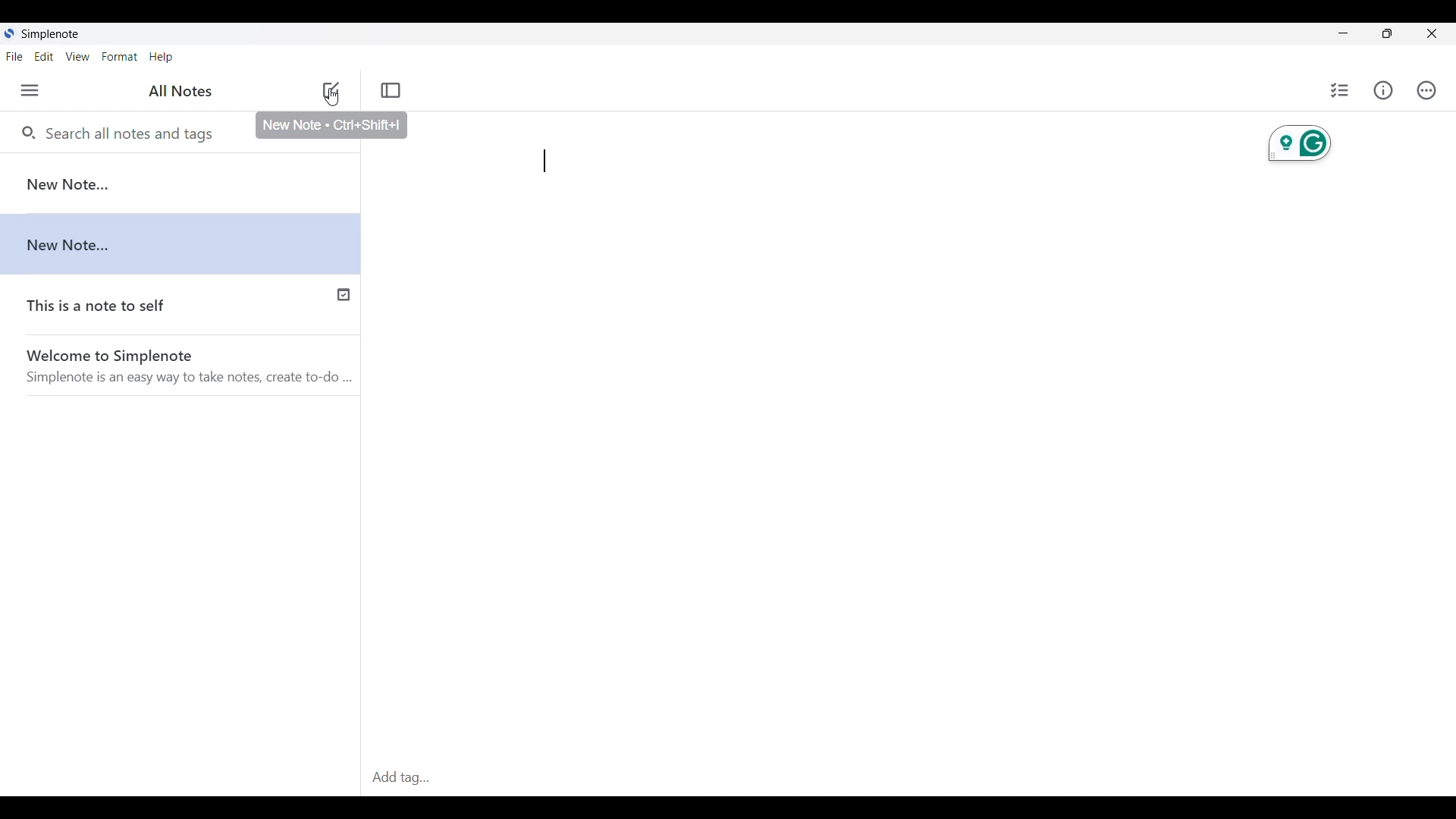  Describe the element at coordinates (162, 57) in the screenshot. I see `Help` at that location.